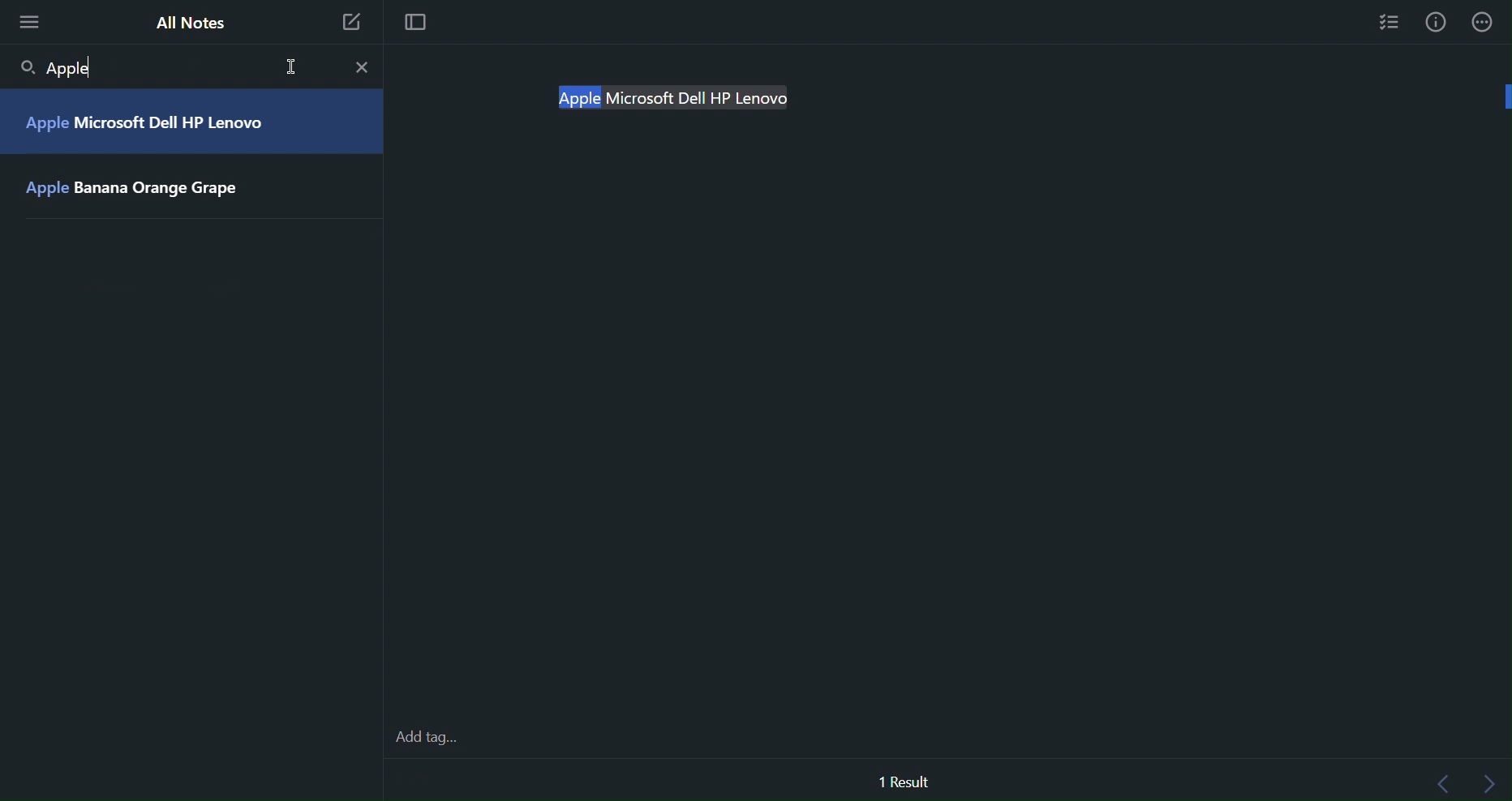 This screenshot has width=1512, height=801. What do you see at coordinates (416, 26) in the screenshot?
I see `Focus mode` at bounding box center [416, 26].